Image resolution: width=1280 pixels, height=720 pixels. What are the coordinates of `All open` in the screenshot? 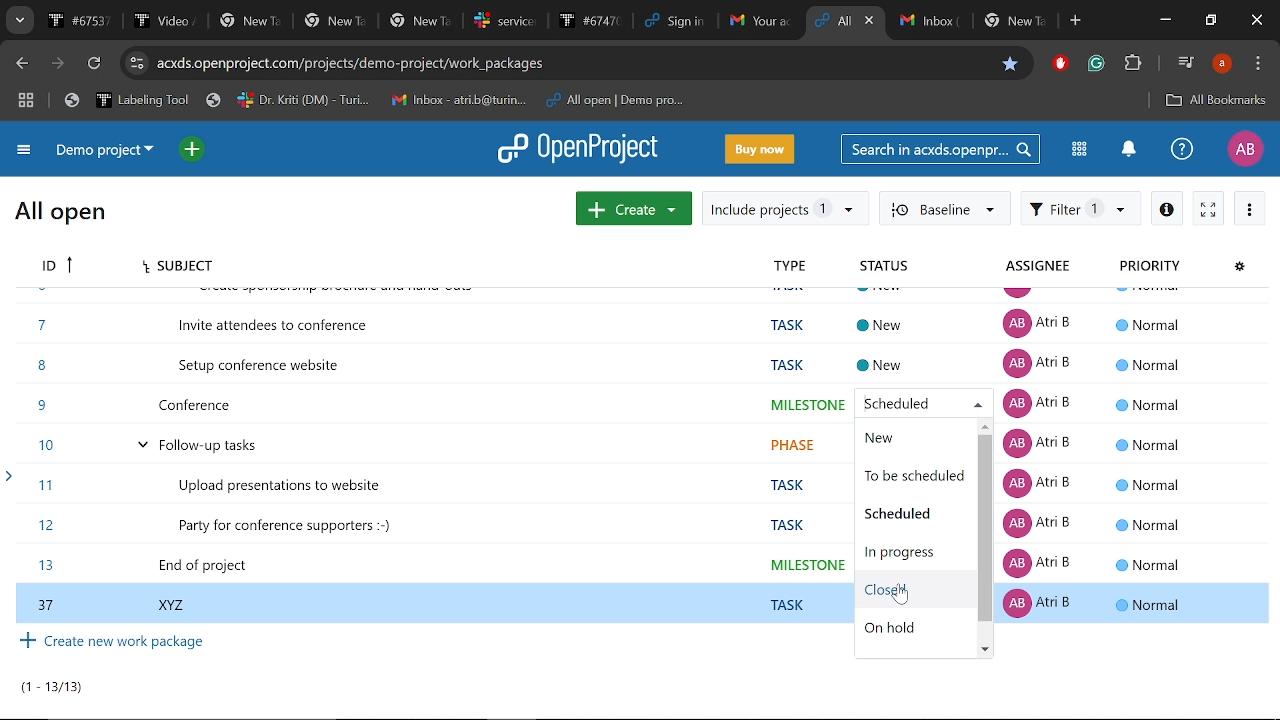 It's located at (62, 209).